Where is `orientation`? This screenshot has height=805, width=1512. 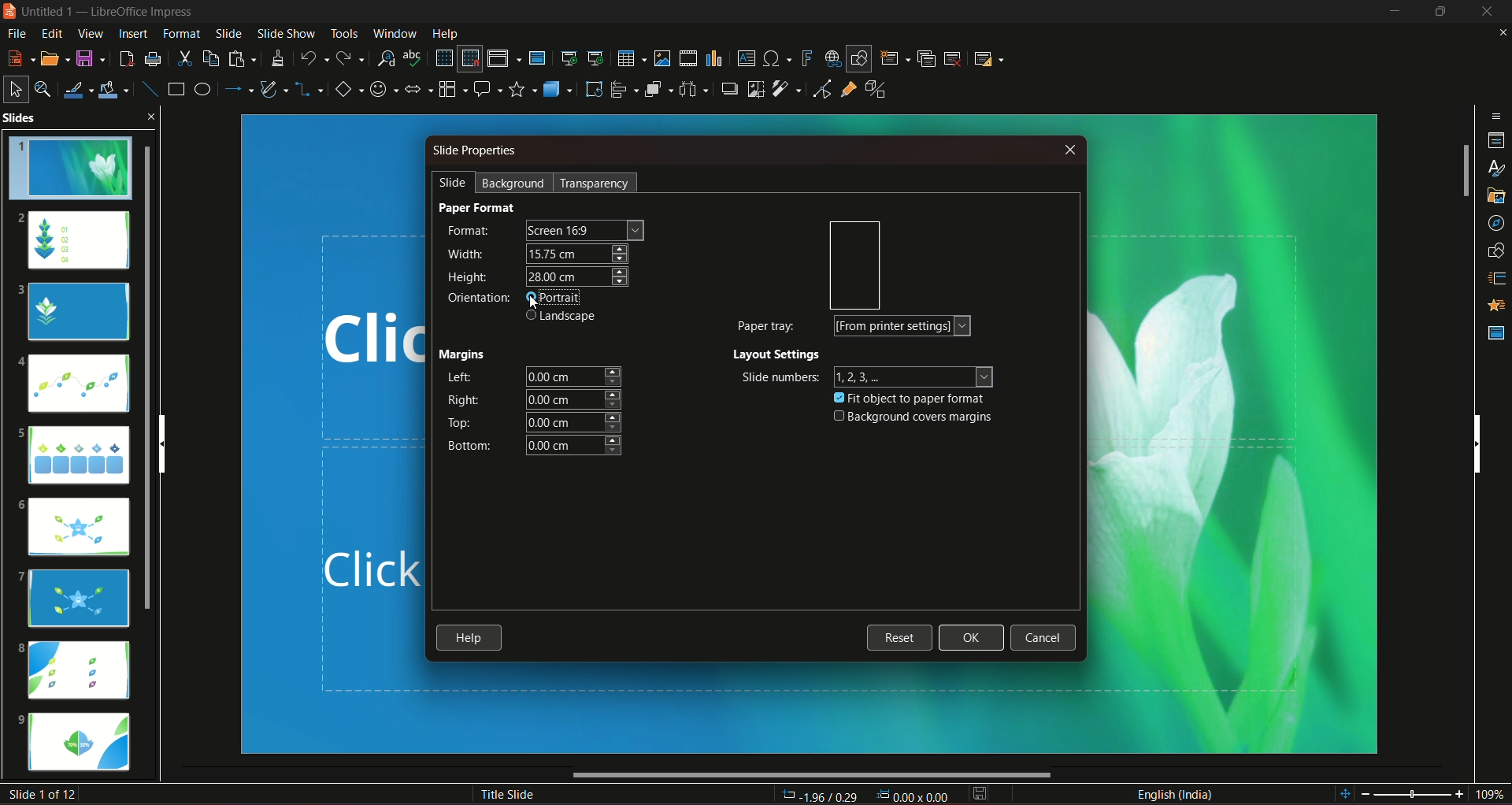
orientation is located at coordinates (852, 265).